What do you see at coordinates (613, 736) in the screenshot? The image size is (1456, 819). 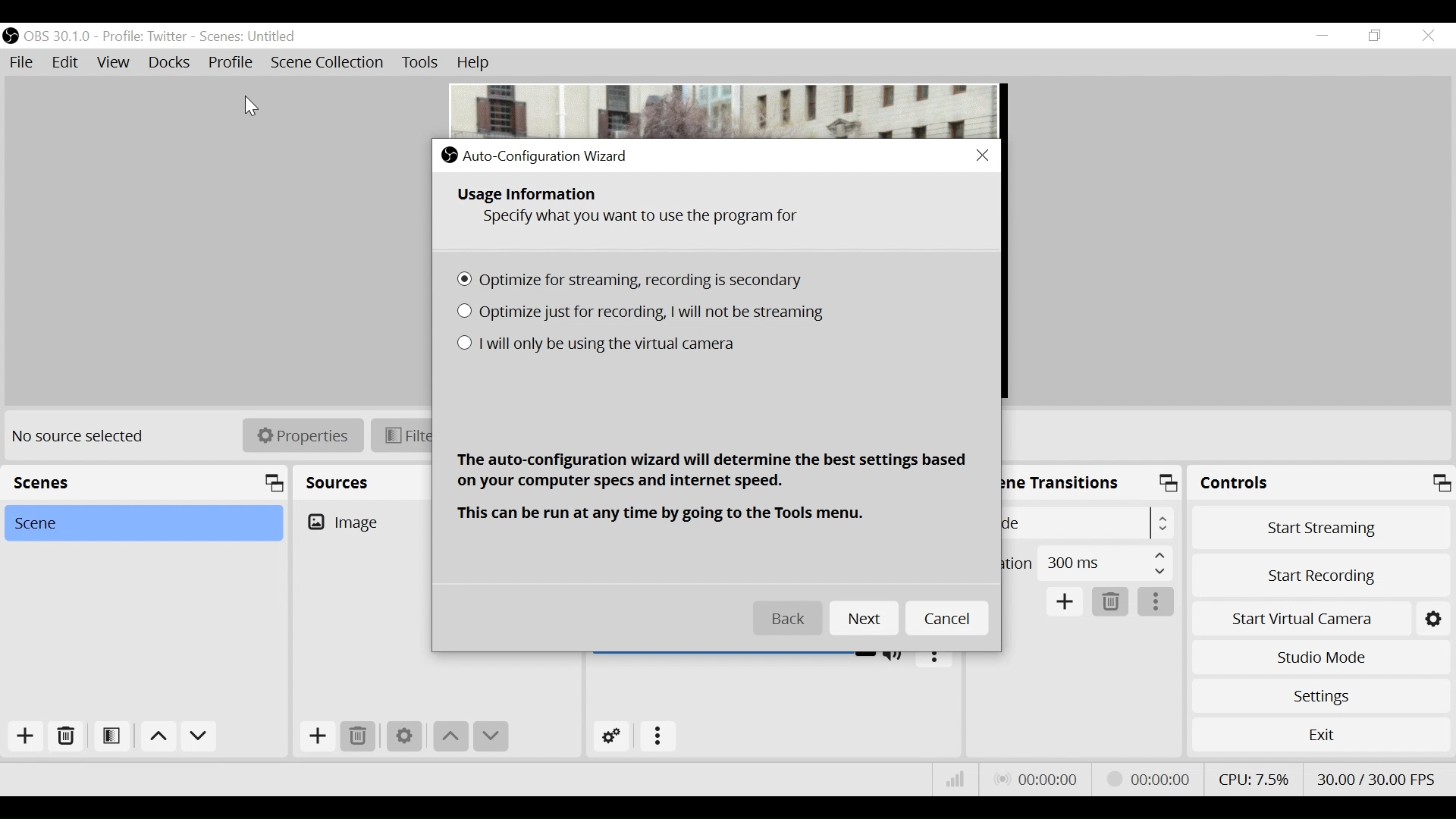 I see `Advanced Audio Settings` at bounding box center [613, 736].